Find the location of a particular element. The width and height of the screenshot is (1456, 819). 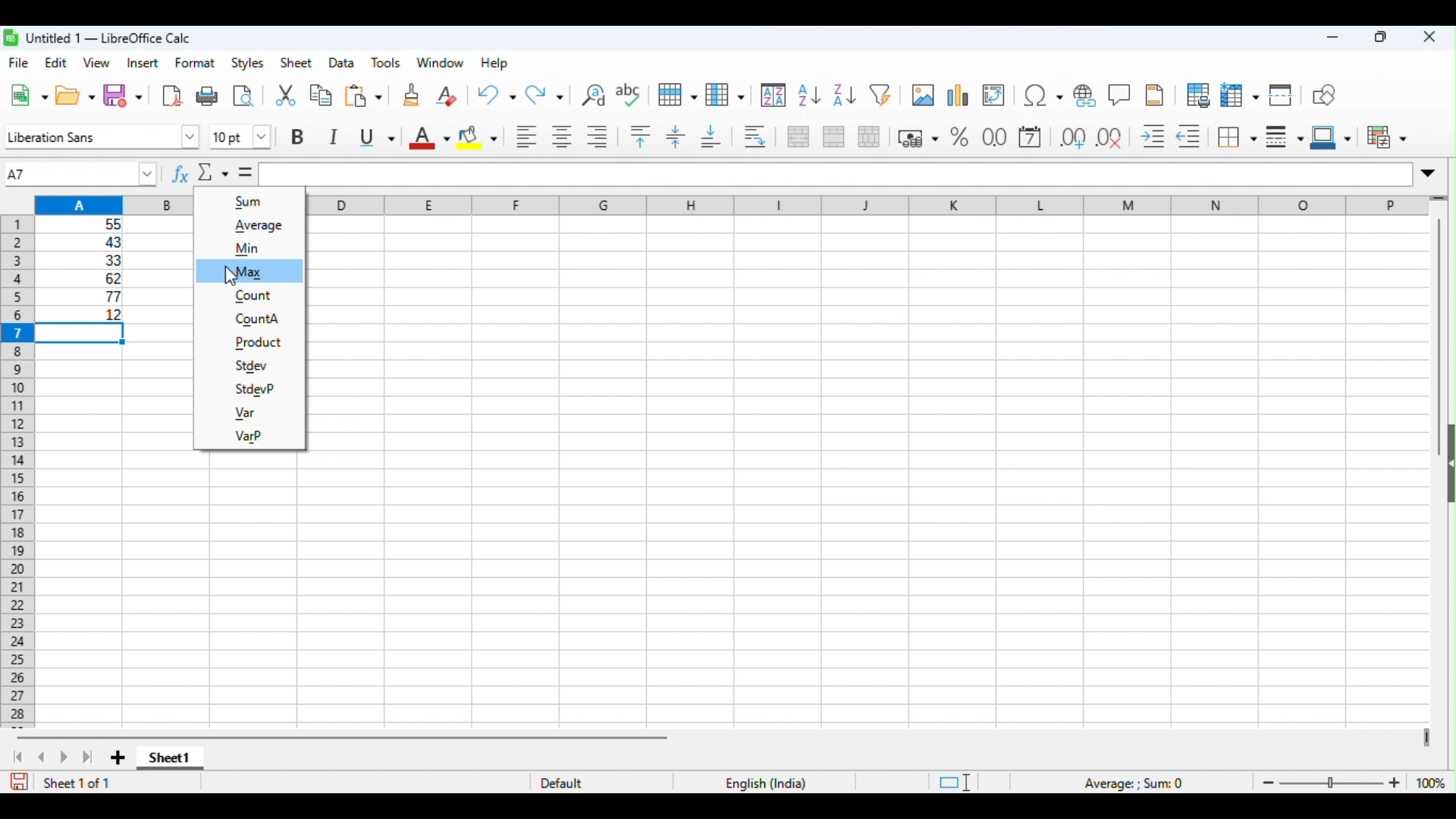

align bottom is located at coordinates (711, 136).